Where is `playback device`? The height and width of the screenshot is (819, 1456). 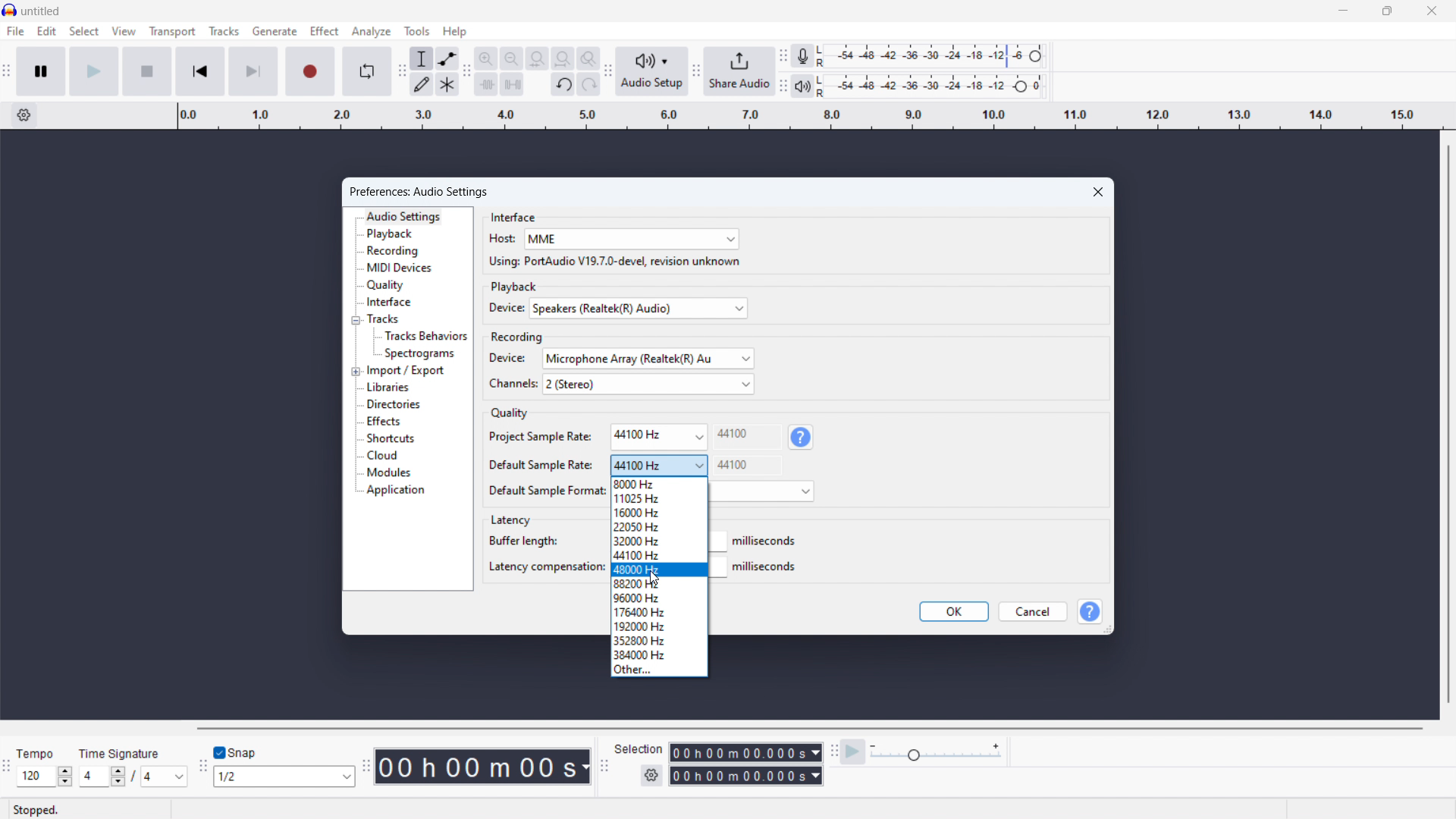
playback device is located at coordinates (639, 308).